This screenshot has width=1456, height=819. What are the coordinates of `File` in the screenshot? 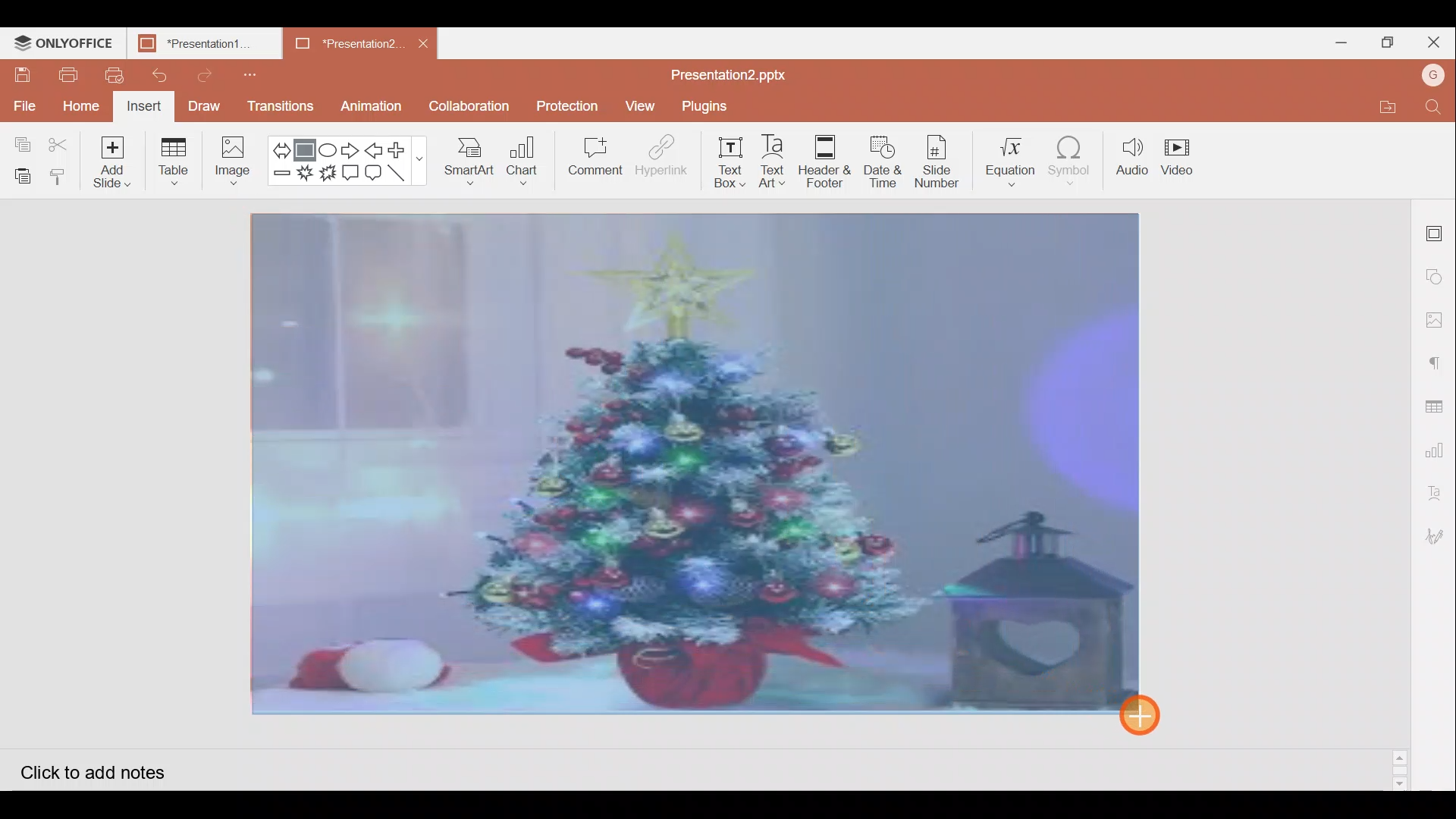 It's located at (23, 102).